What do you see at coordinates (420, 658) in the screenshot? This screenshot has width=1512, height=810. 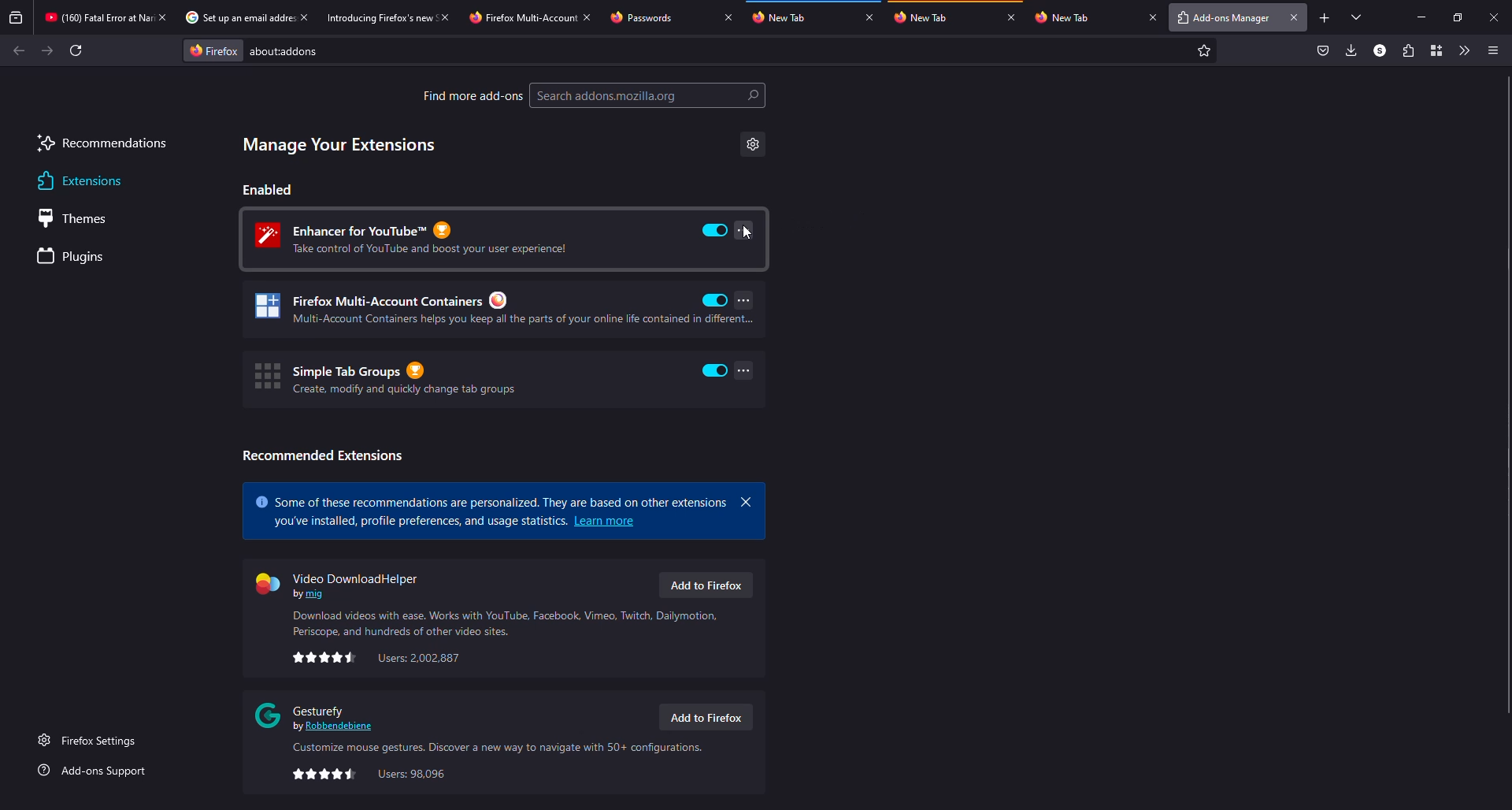 I see `Users` at bounding box center [420, 658].